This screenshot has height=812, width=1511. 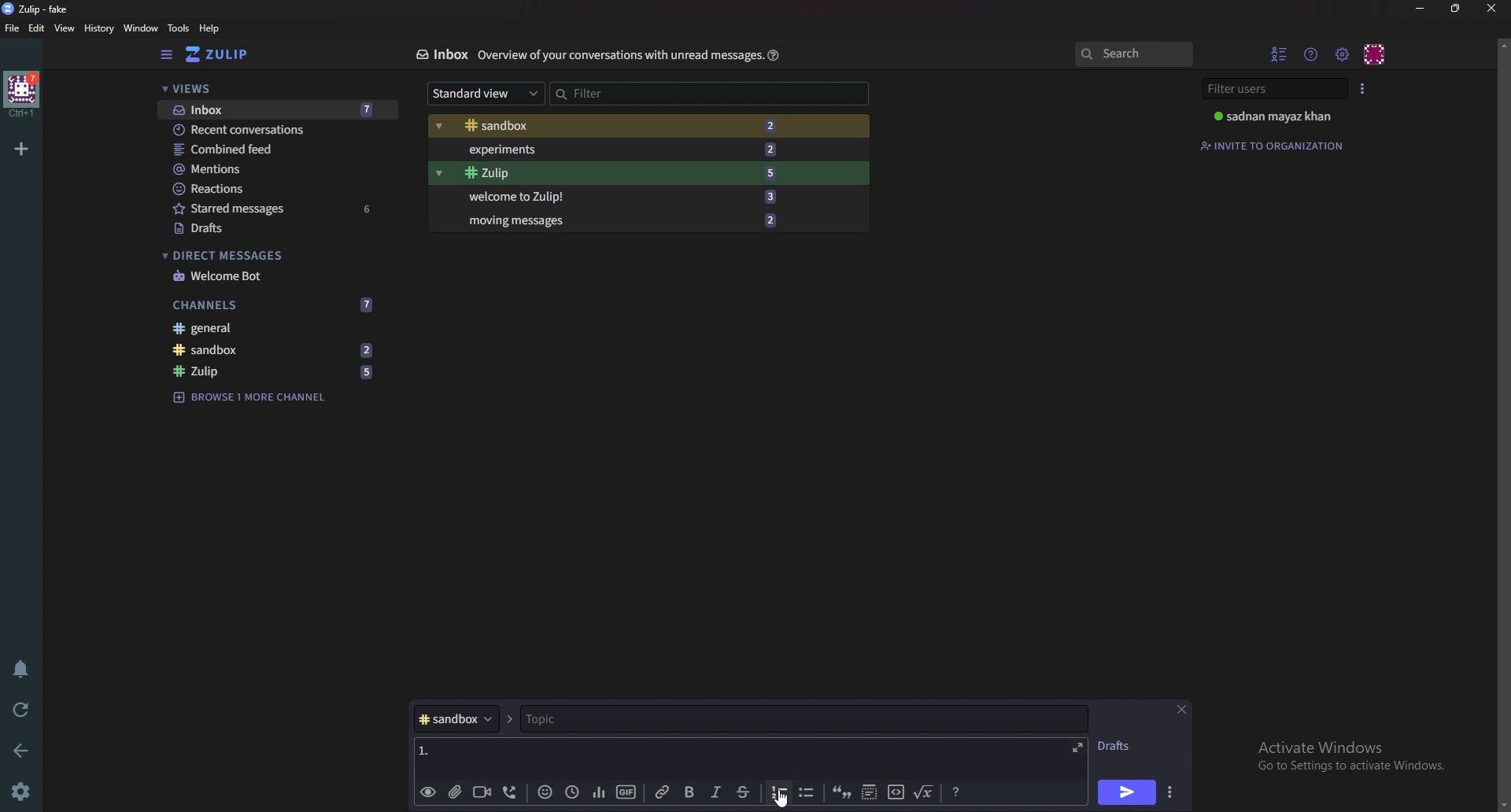 What do you see at coordinates (13, 29) in the screenshot?
I see `File` at bounding box center [13, 29].